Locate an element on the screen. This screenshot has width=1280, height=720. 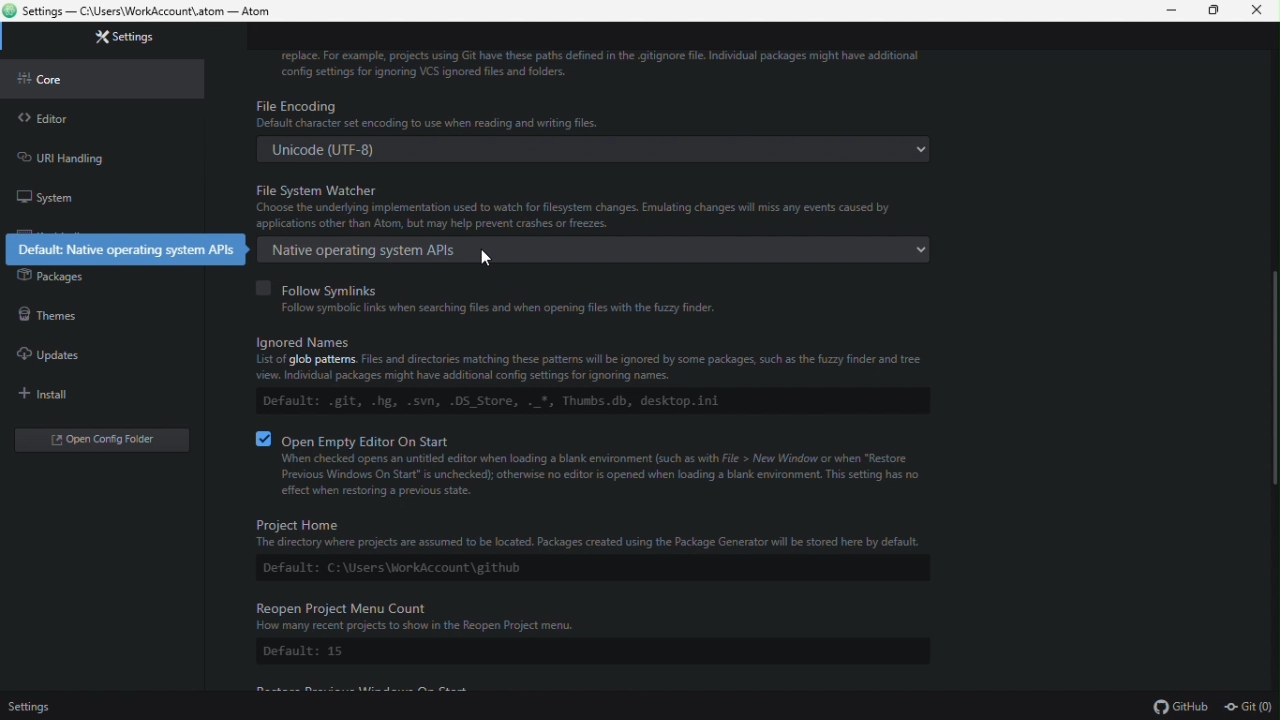
cursor is located at coordinates (487, 260).